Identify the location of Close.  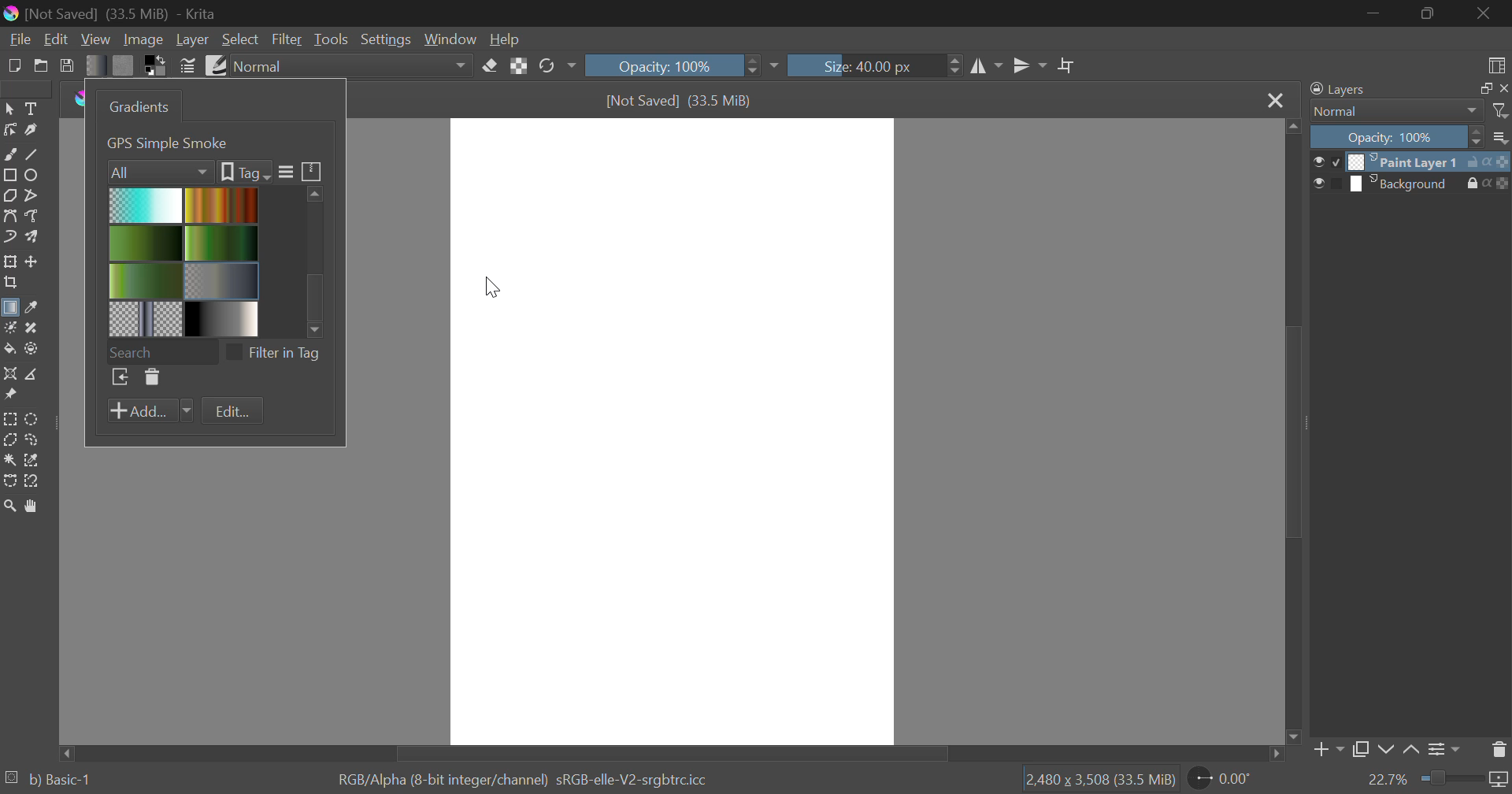
(1488, 13).